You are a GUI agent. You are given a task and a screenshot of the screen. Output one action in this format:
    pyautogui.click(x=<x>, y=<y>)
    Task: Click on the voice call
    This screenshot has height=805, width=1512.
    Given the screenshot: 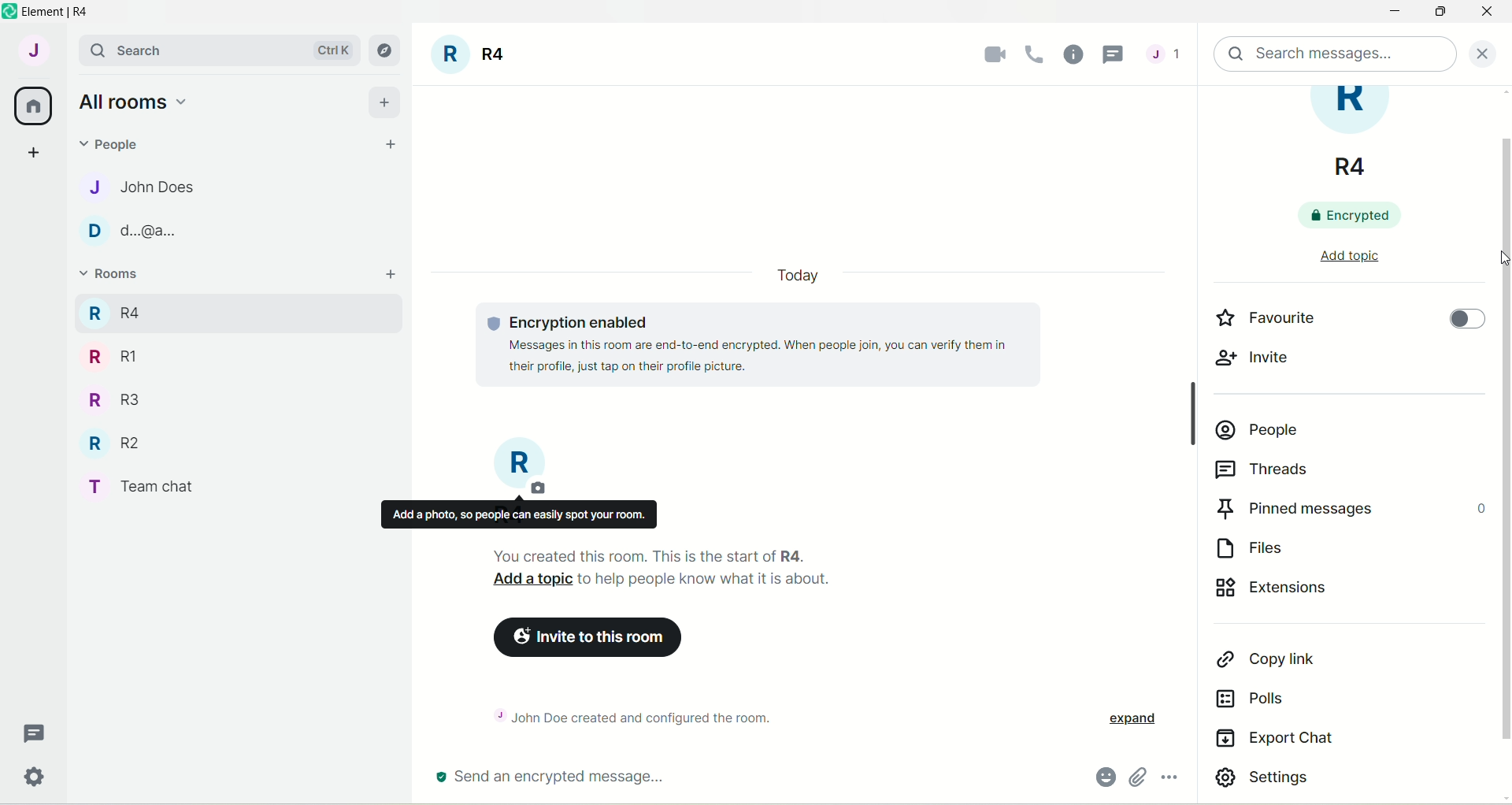 What is the action you would take?
    pyautogui.click(x=1038, y=54)
    